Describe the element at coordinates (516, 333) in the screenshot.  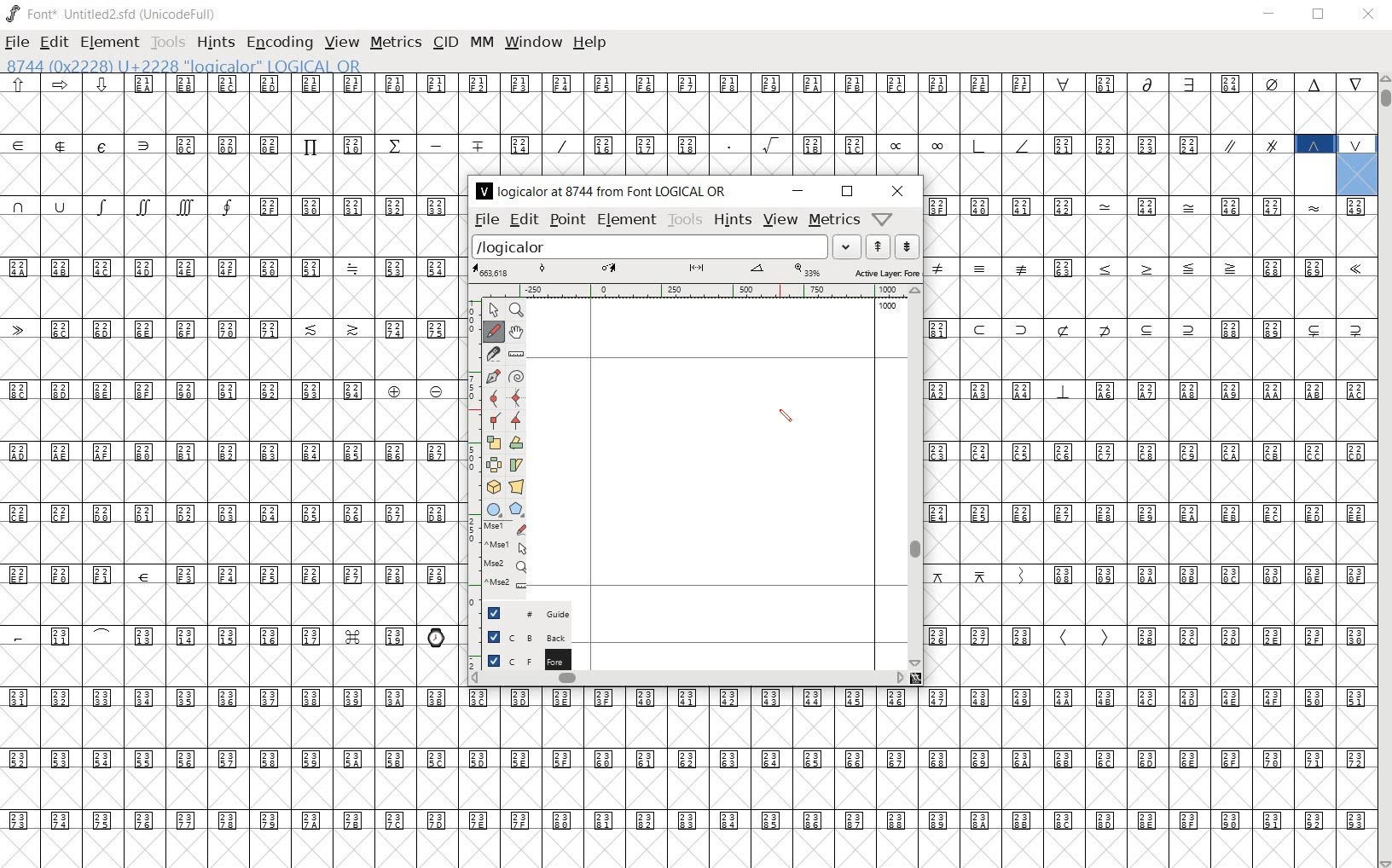
I see `scroll by hand` at that location.